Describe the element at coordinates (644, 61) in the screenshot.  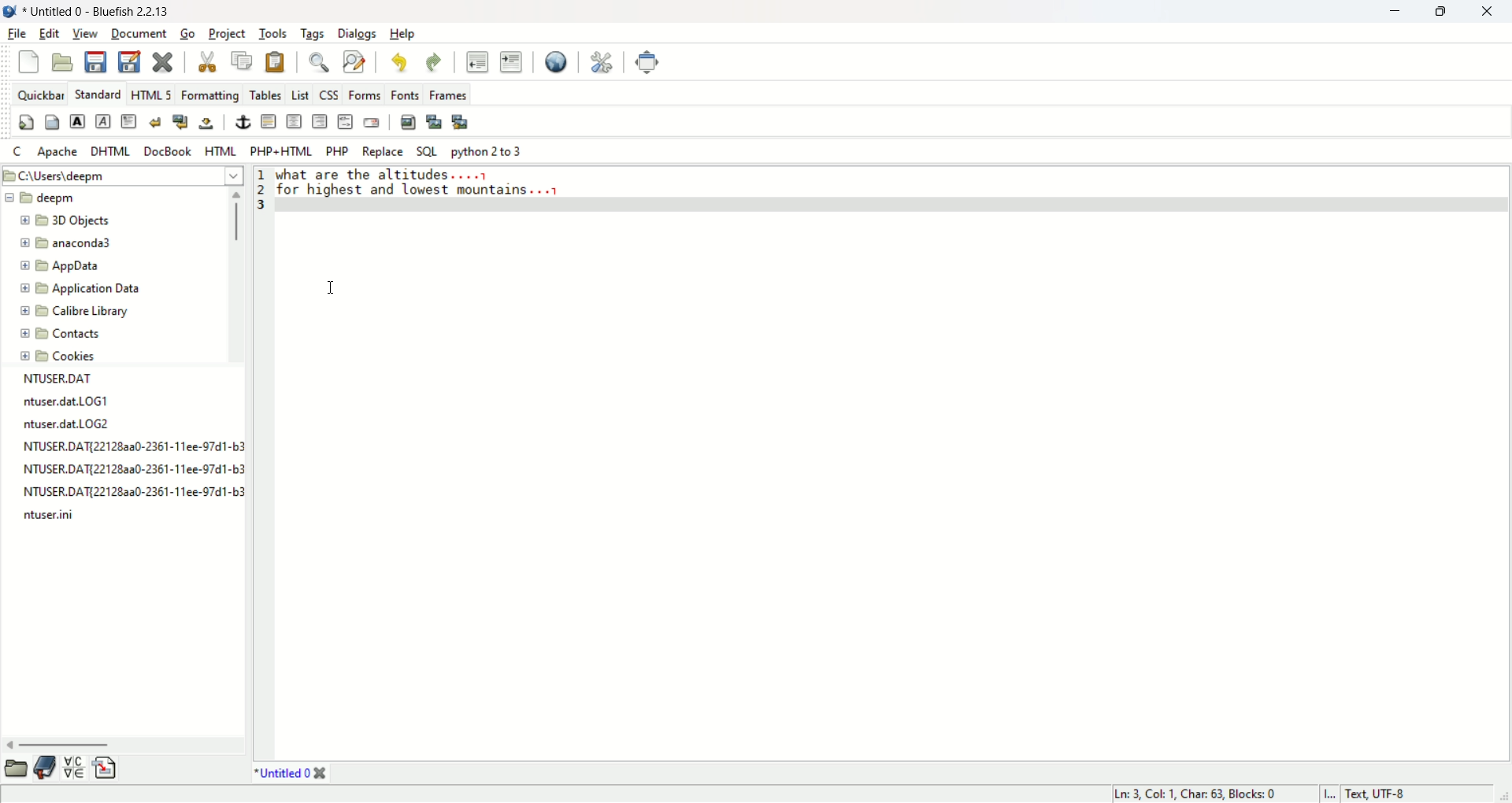
I see `full screen` at that location.